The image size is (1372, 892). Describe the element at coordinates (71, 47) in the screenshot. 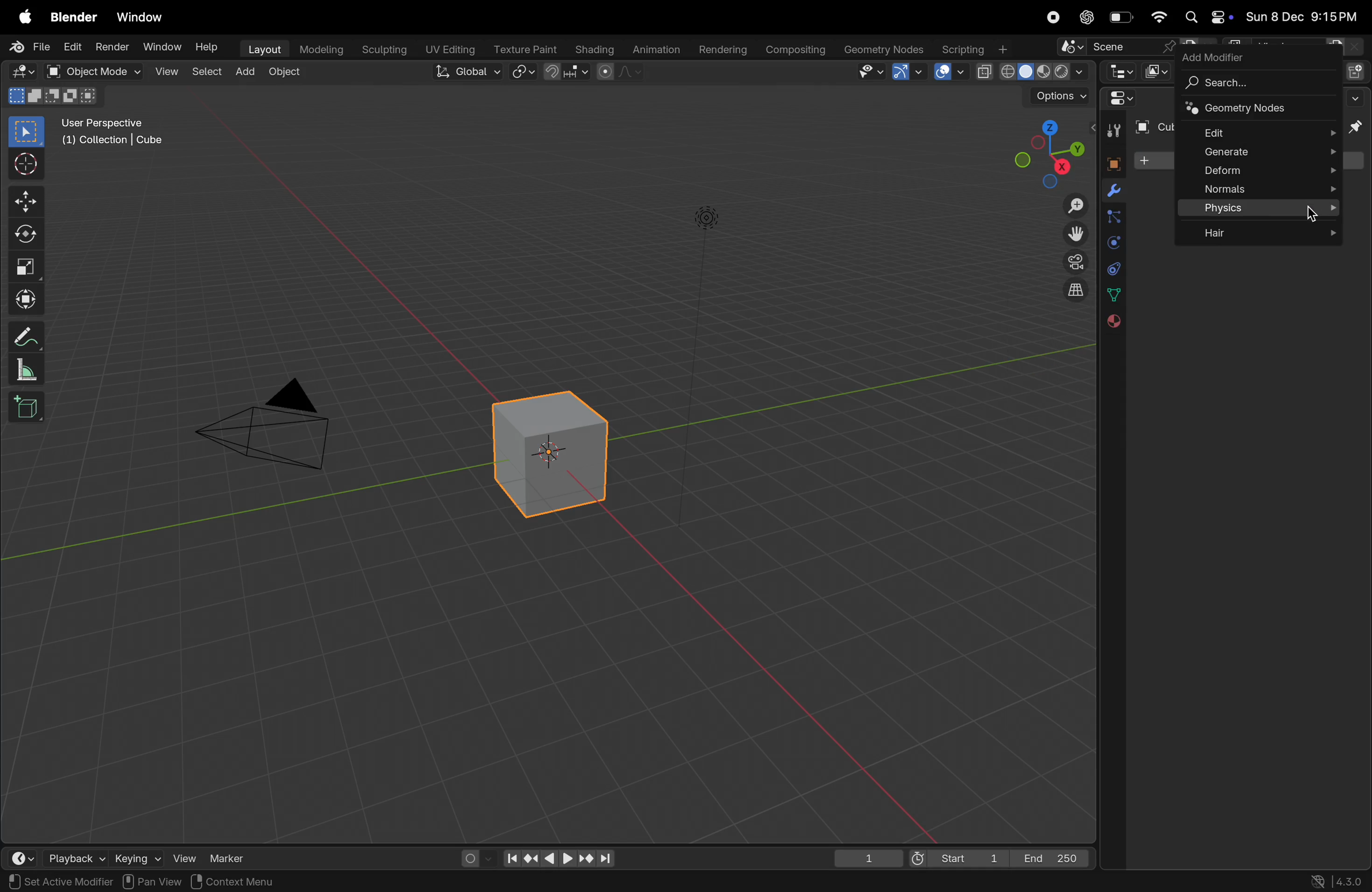

I see `edit` at that location.